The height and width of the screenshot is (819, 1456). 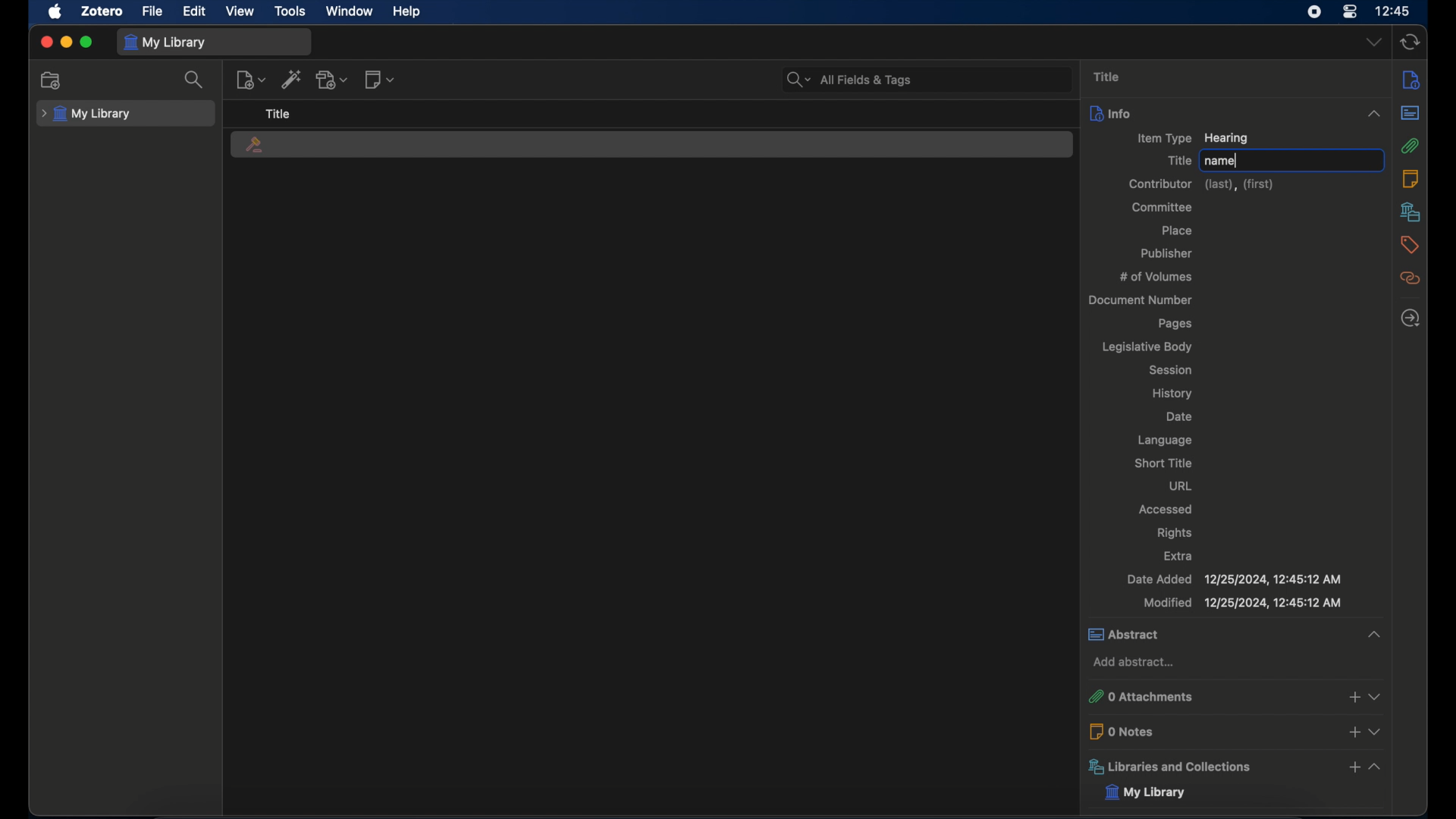 What do you see at coordinates (1179, 555) in the screenshot?
I see `extra` at bounding box center [1179, 555].